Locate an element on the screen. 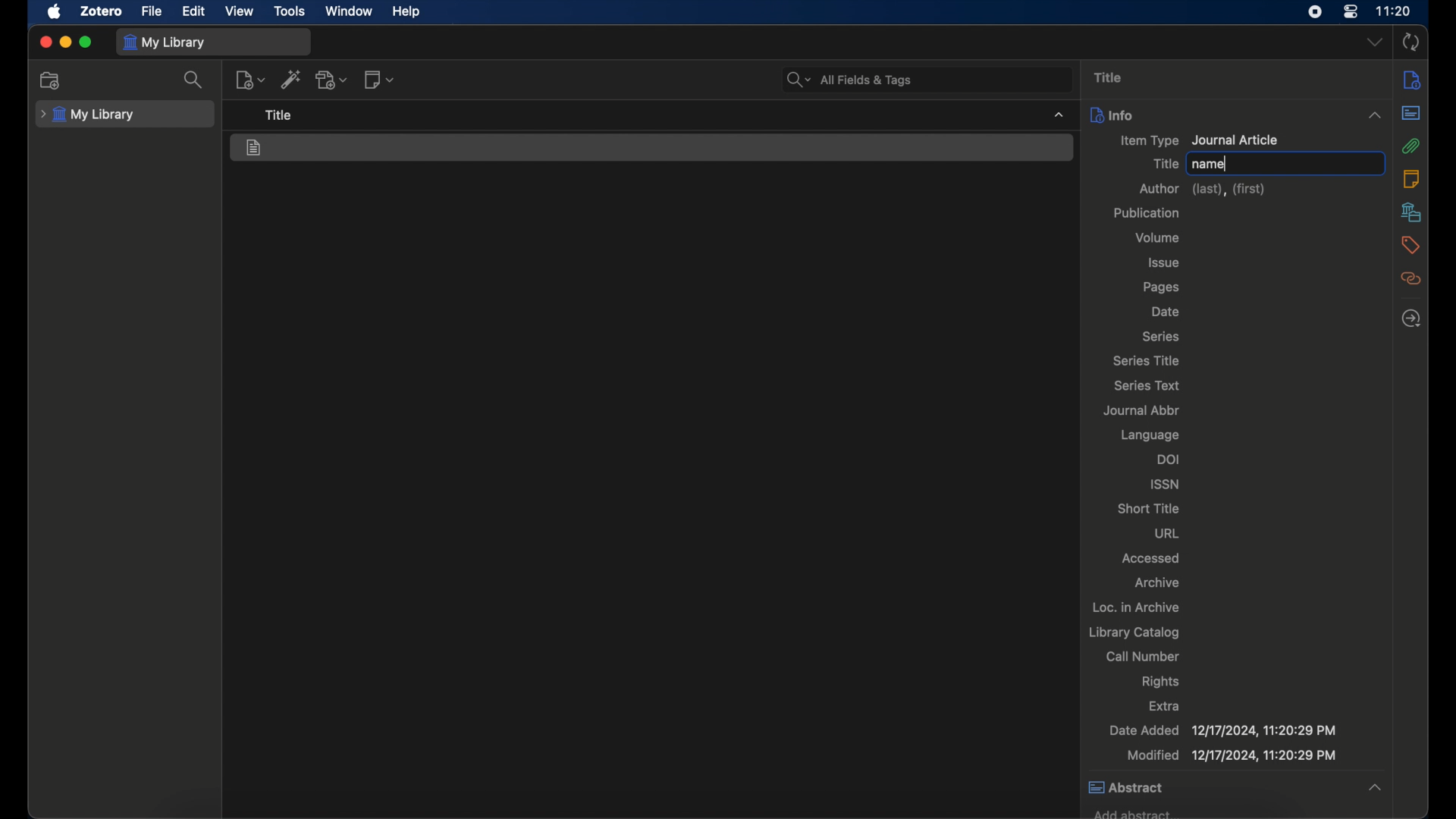 This screenshot has height=819, width=1456. call number is located at coordinates (1144, 656).